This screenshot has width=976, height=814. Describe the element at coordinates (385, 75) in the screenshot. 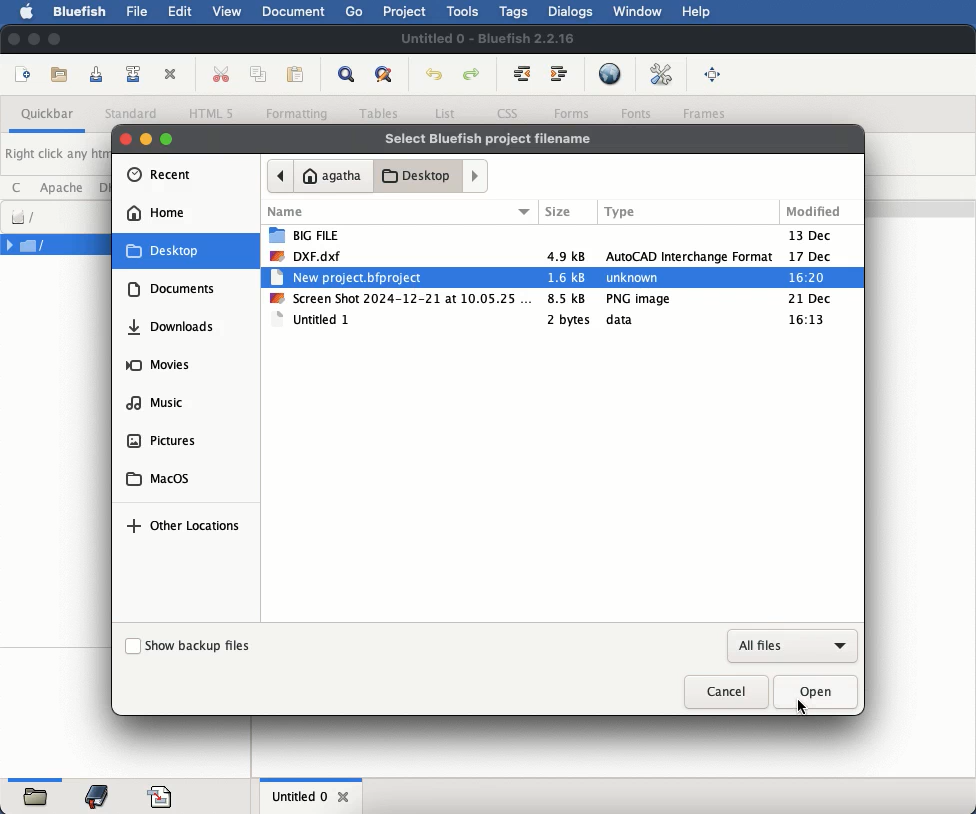

I see `advanced find and replace` at that location.